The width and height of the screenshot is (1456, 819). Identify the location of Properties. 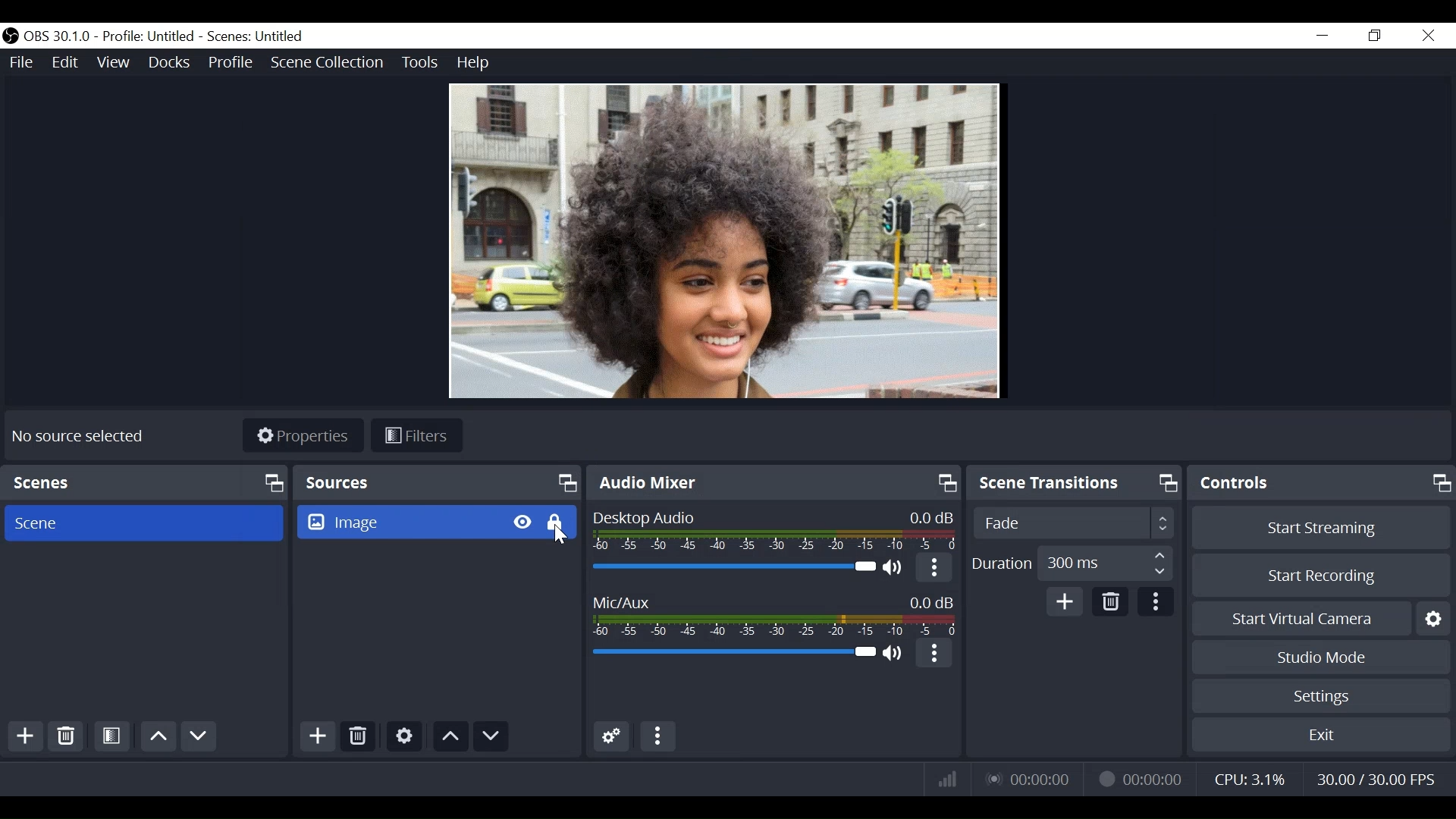
(302, 436).